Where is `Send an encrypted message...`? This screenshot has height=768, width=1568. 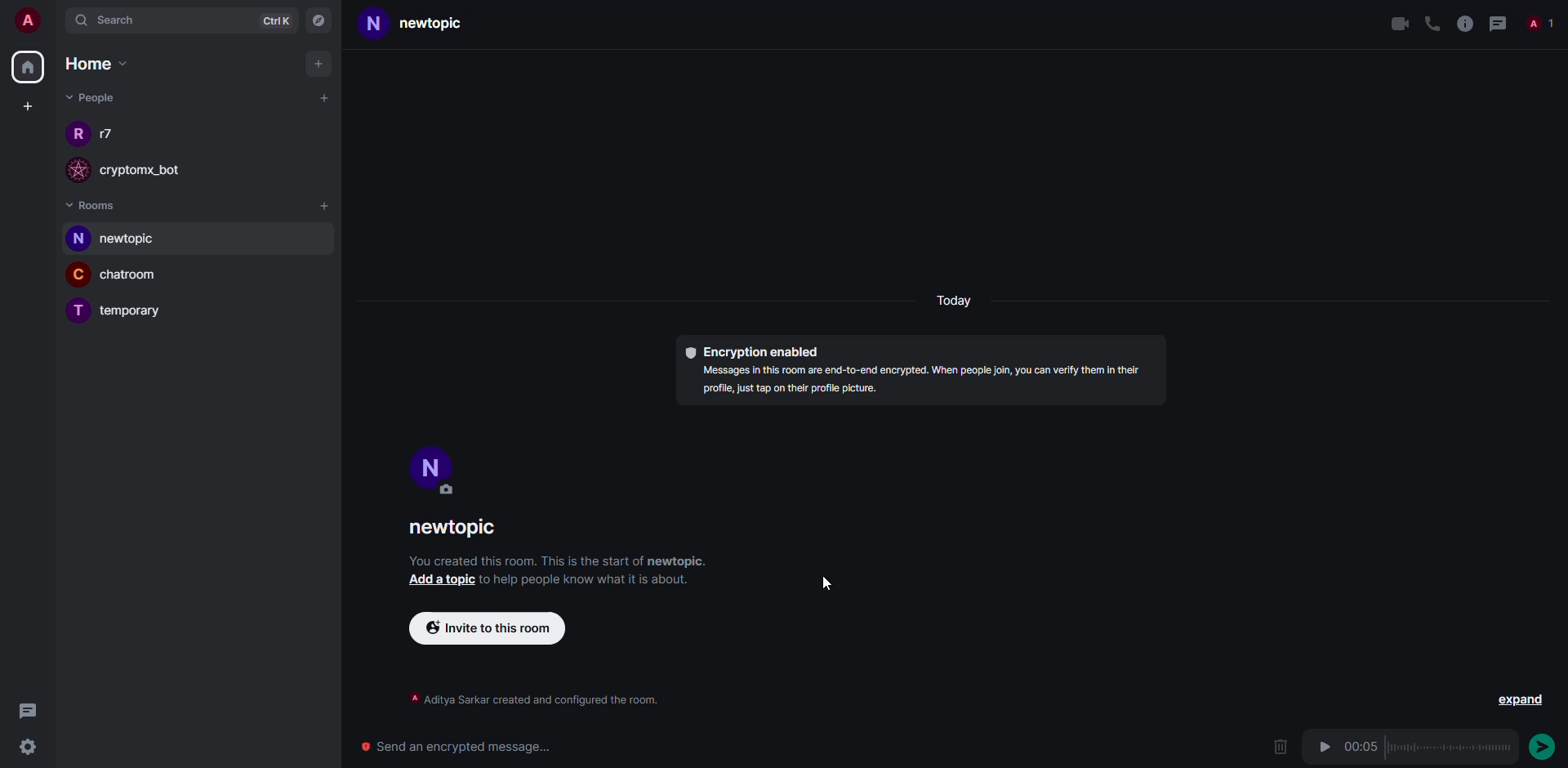 Send an encrypted message... is located at coordinates (466, 748).